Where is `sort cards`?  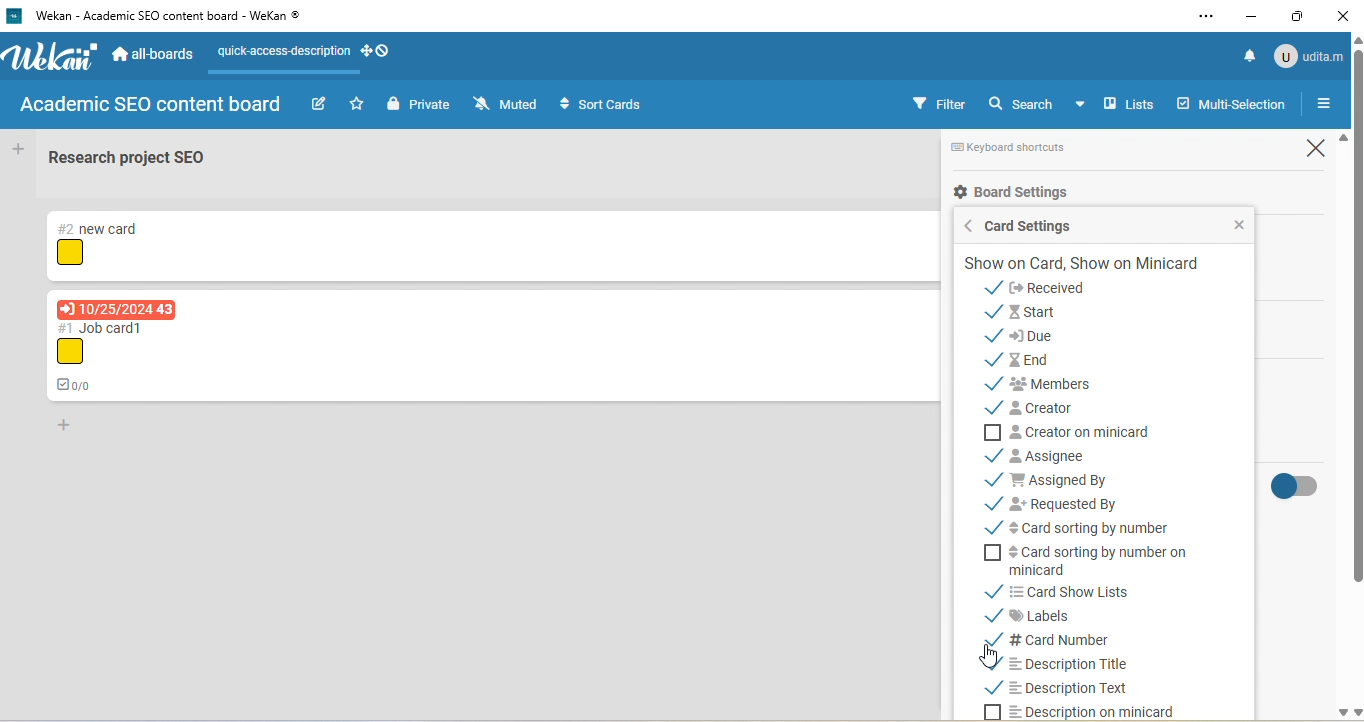 sort cards is located at coordinates (601, 104).